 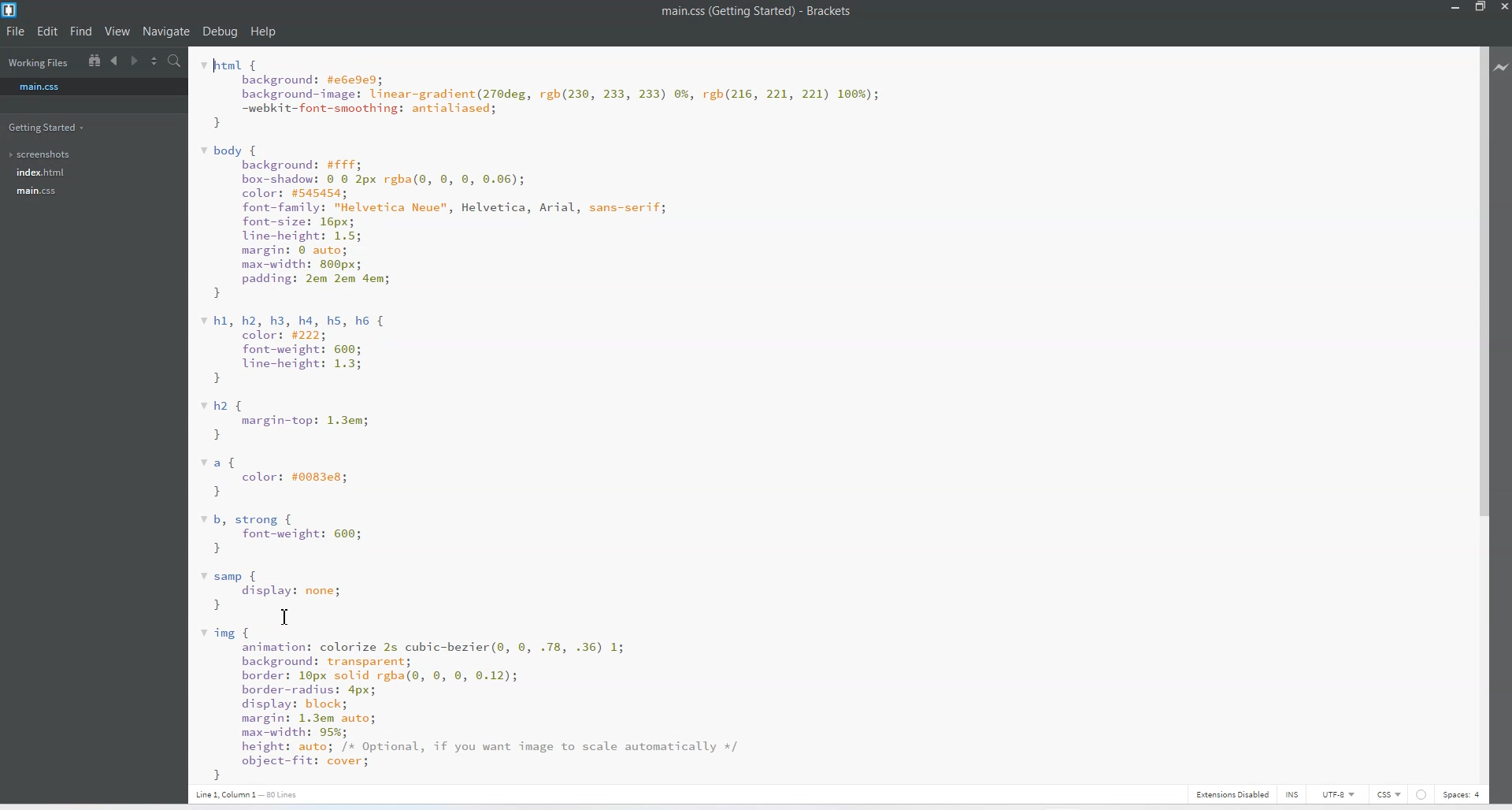 I want to click on Edit, so click(x=48, y=31).